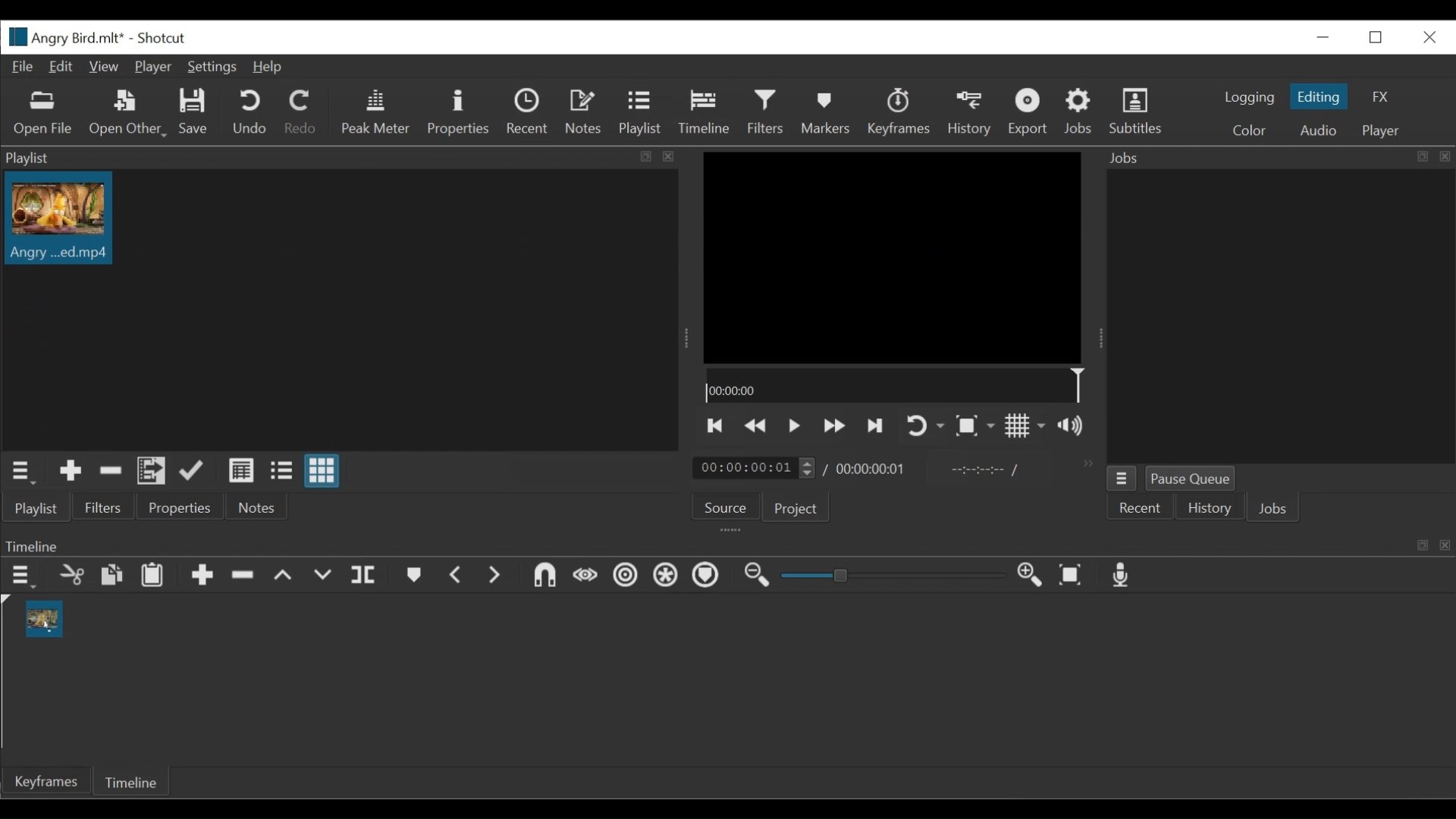 The height and width of the screenshot is (819, 1456). Describe the element at coordinates (62, 234) in the screenshot. I see `Cursor` at that location.